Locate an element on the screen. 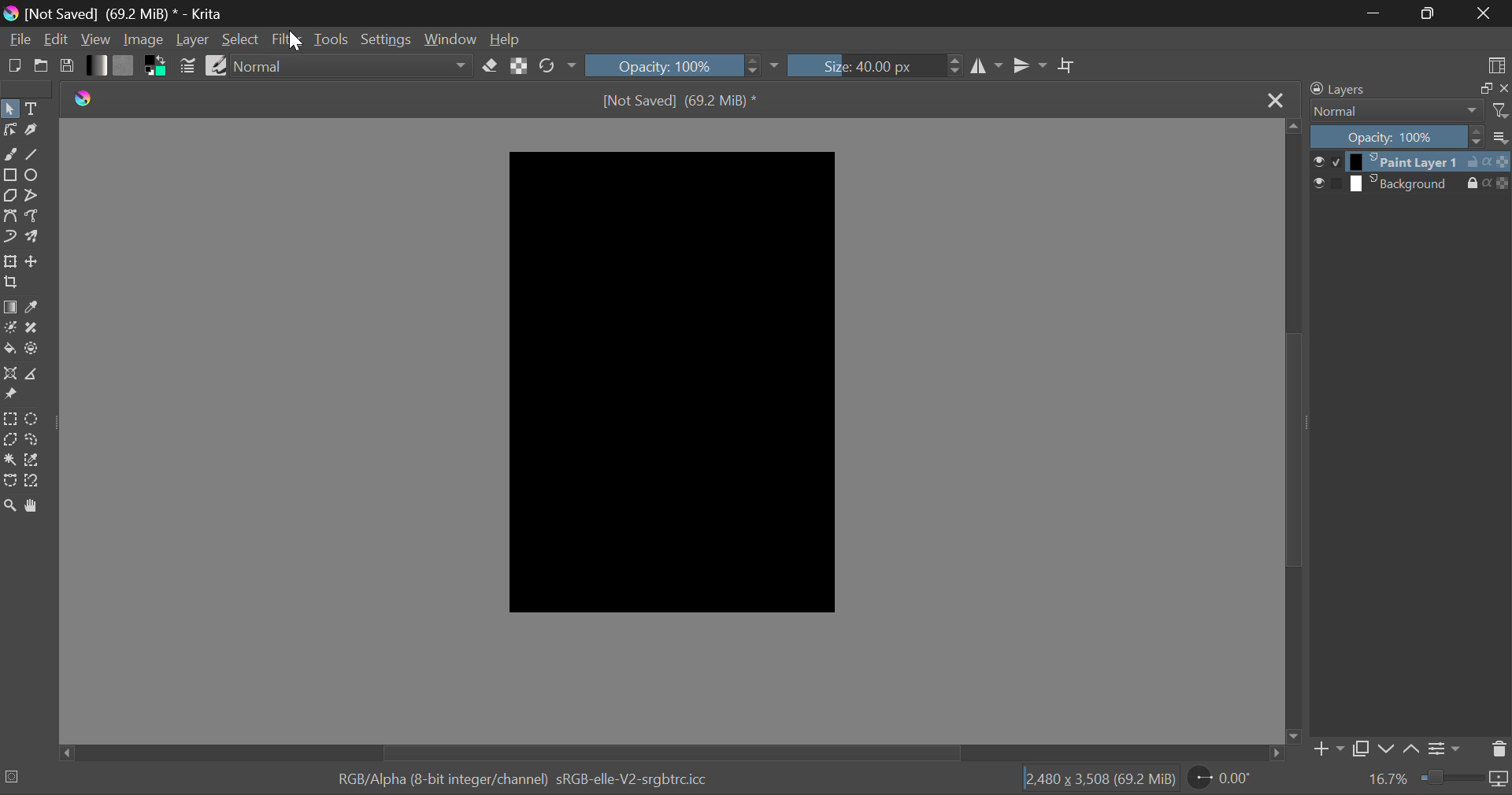 The image size is (1512, 795). Gradient Fill is located at coordinates (9, 307).